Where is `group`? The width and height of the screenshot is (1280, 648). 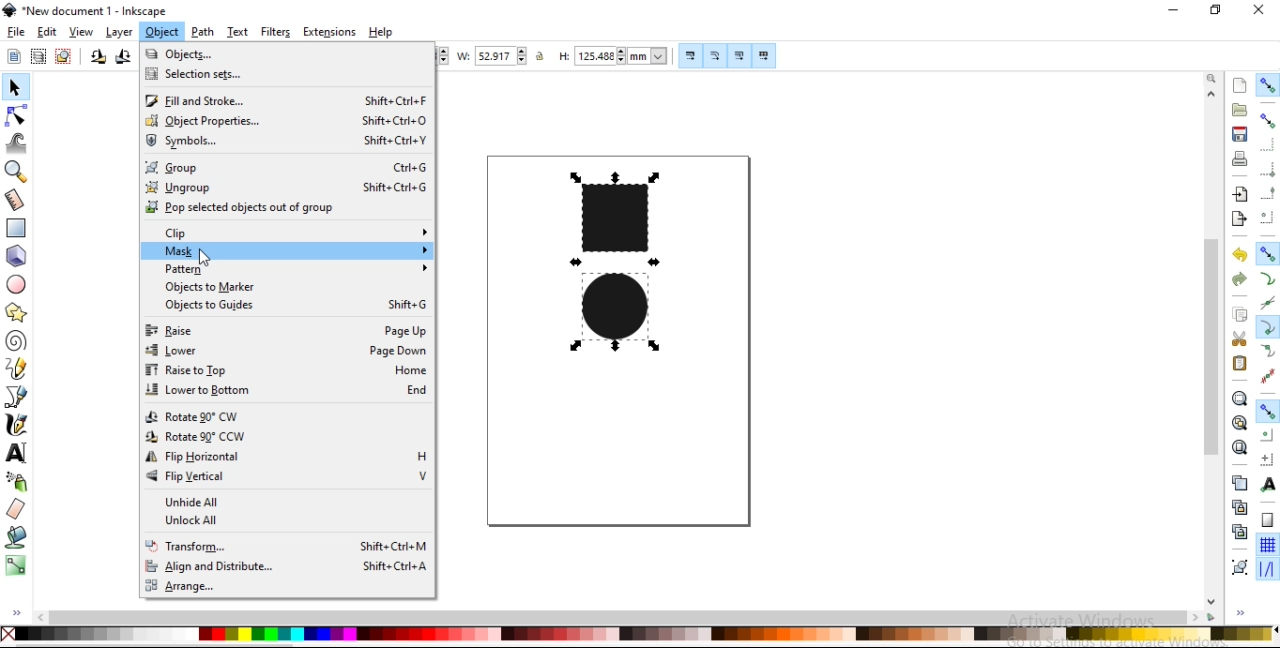
group is located at coordinates (286, 168).